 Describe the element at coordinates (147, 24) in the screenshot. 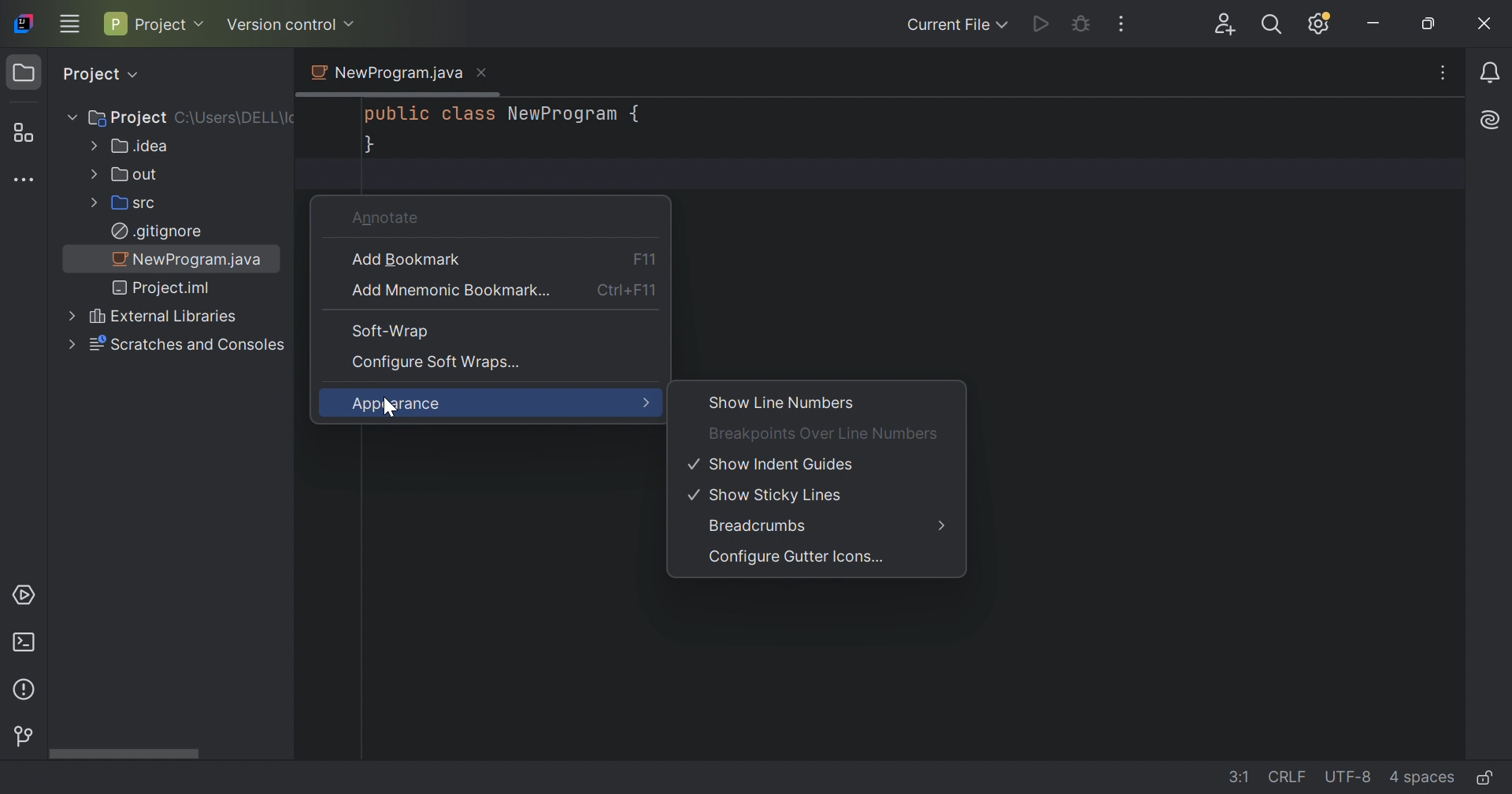

I see `Project` at that location.